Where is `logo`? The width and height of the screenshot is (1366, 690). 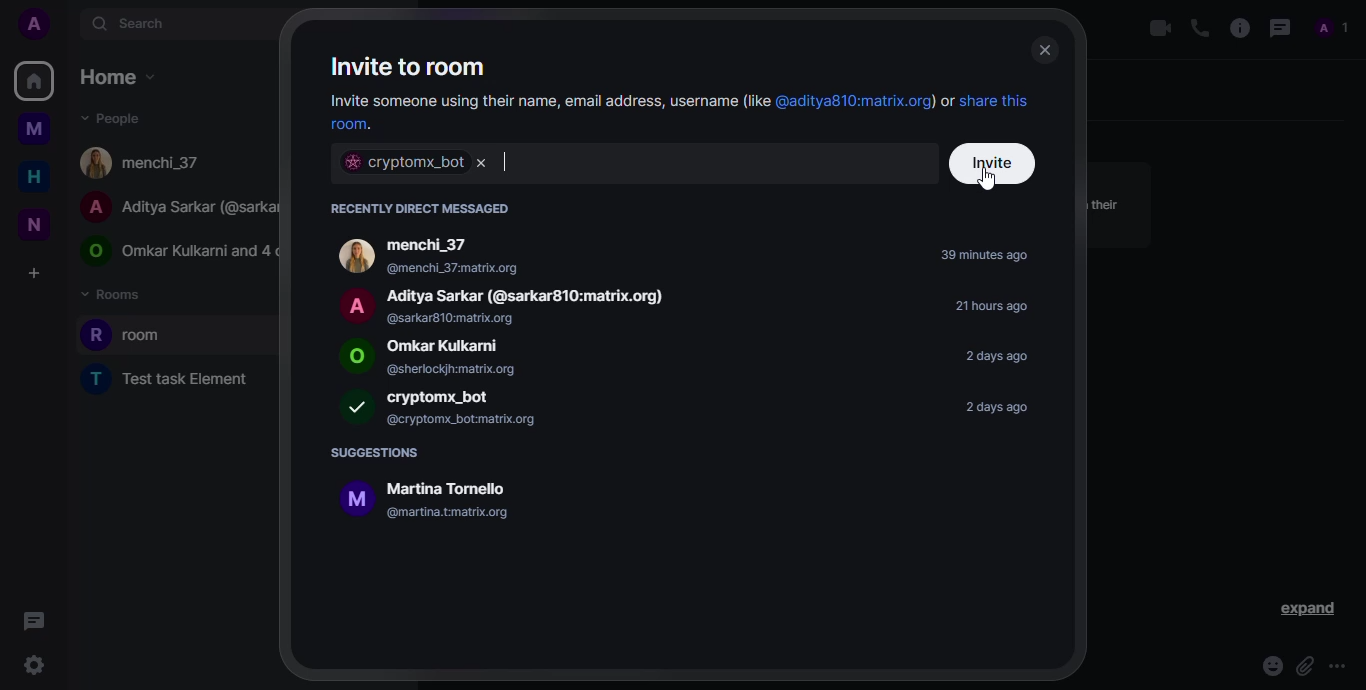 logo is located at coordinates (352, 254).